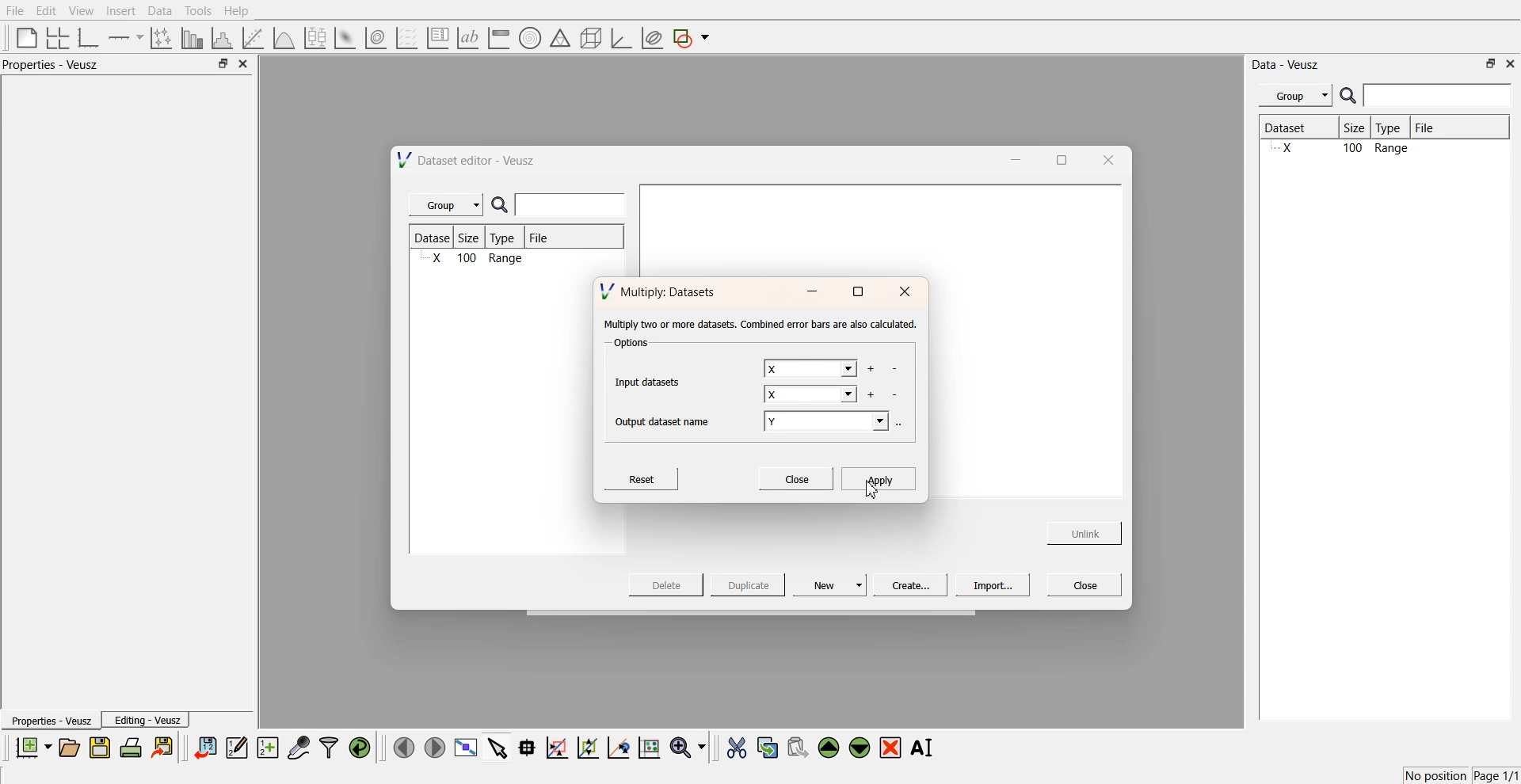 The image size is (1521, 784). I want to click on Create..., so click(908, 584).